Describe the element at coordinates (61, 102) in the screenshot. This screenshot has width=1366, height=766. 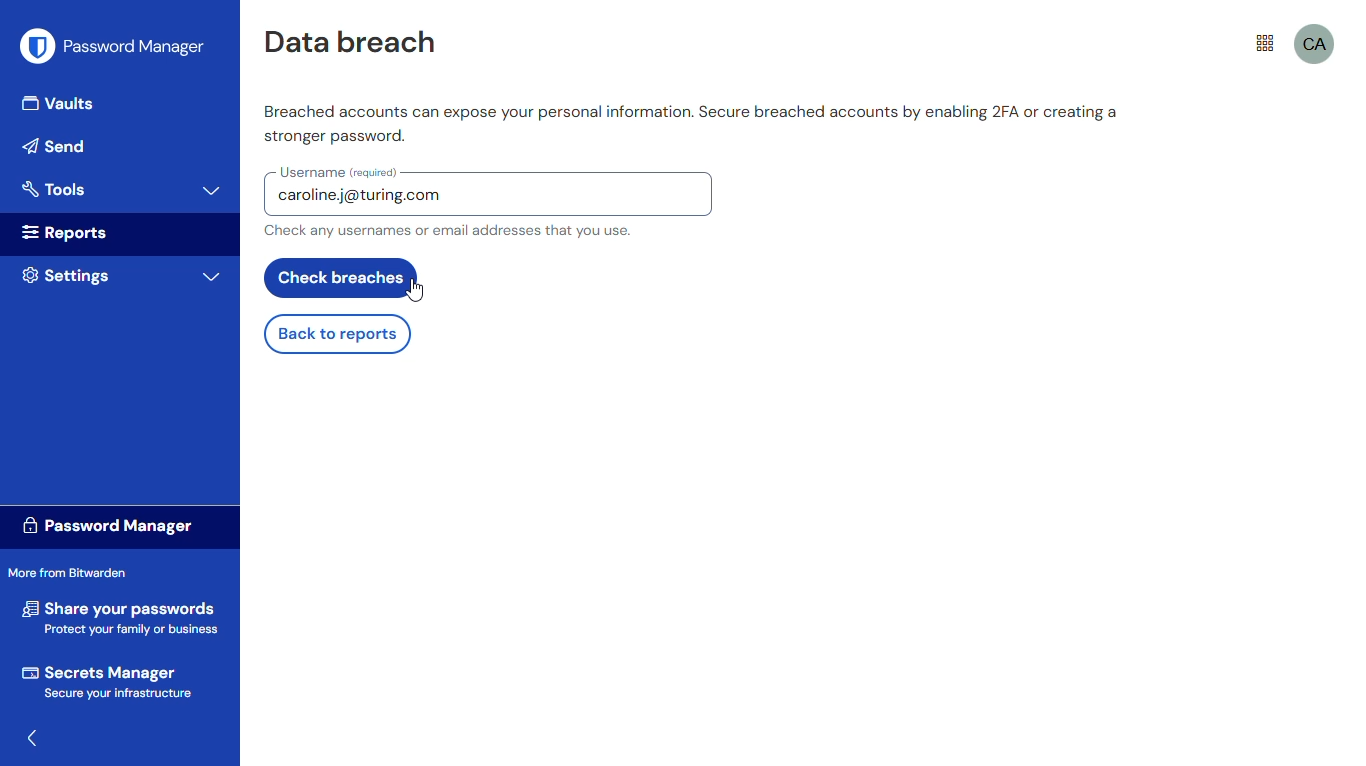
I see `vaults` at that location.